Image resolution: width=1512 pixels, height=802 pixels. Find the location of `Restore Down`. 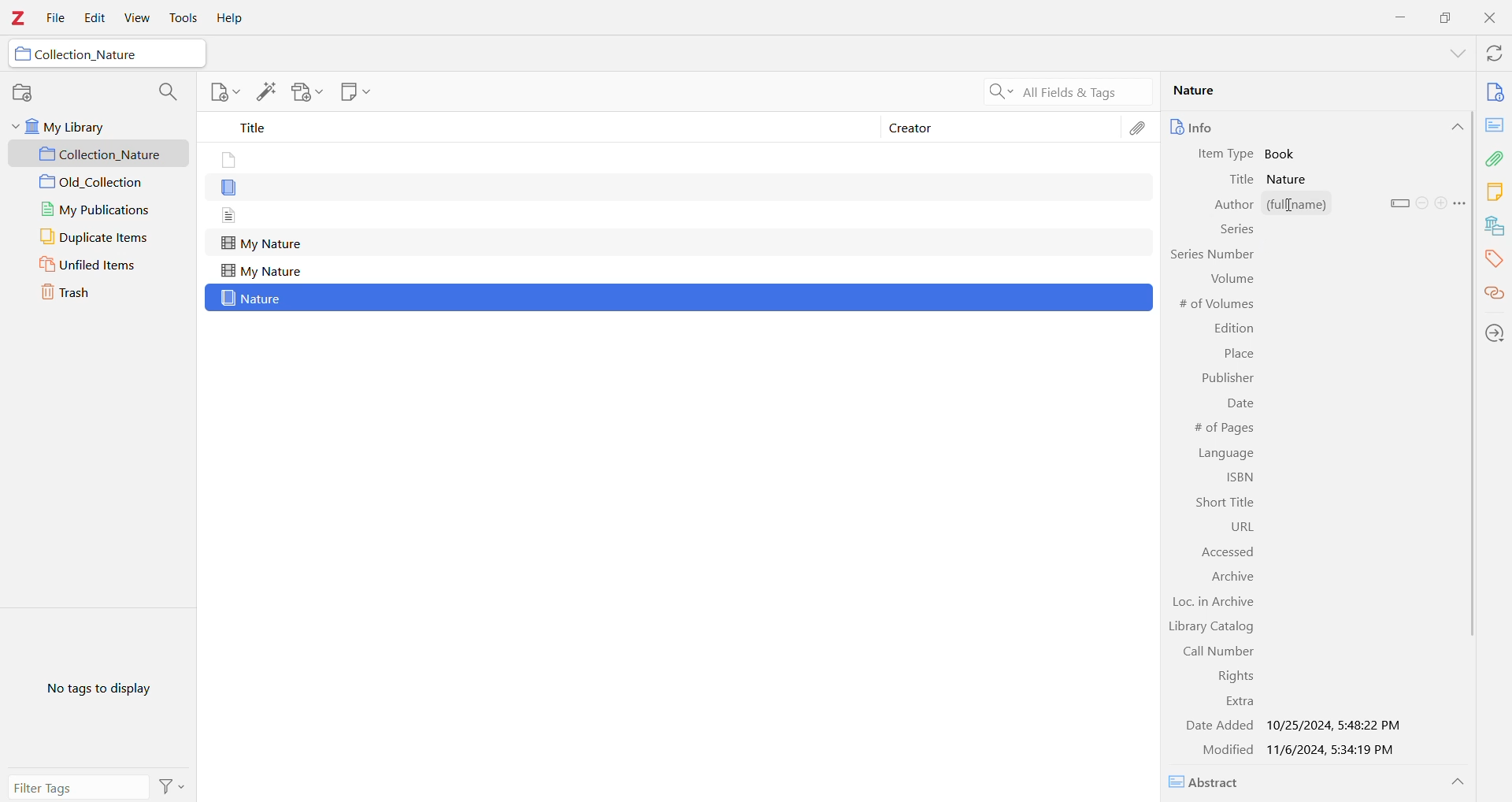

Restore Down is located at coordinates (1447, 17).